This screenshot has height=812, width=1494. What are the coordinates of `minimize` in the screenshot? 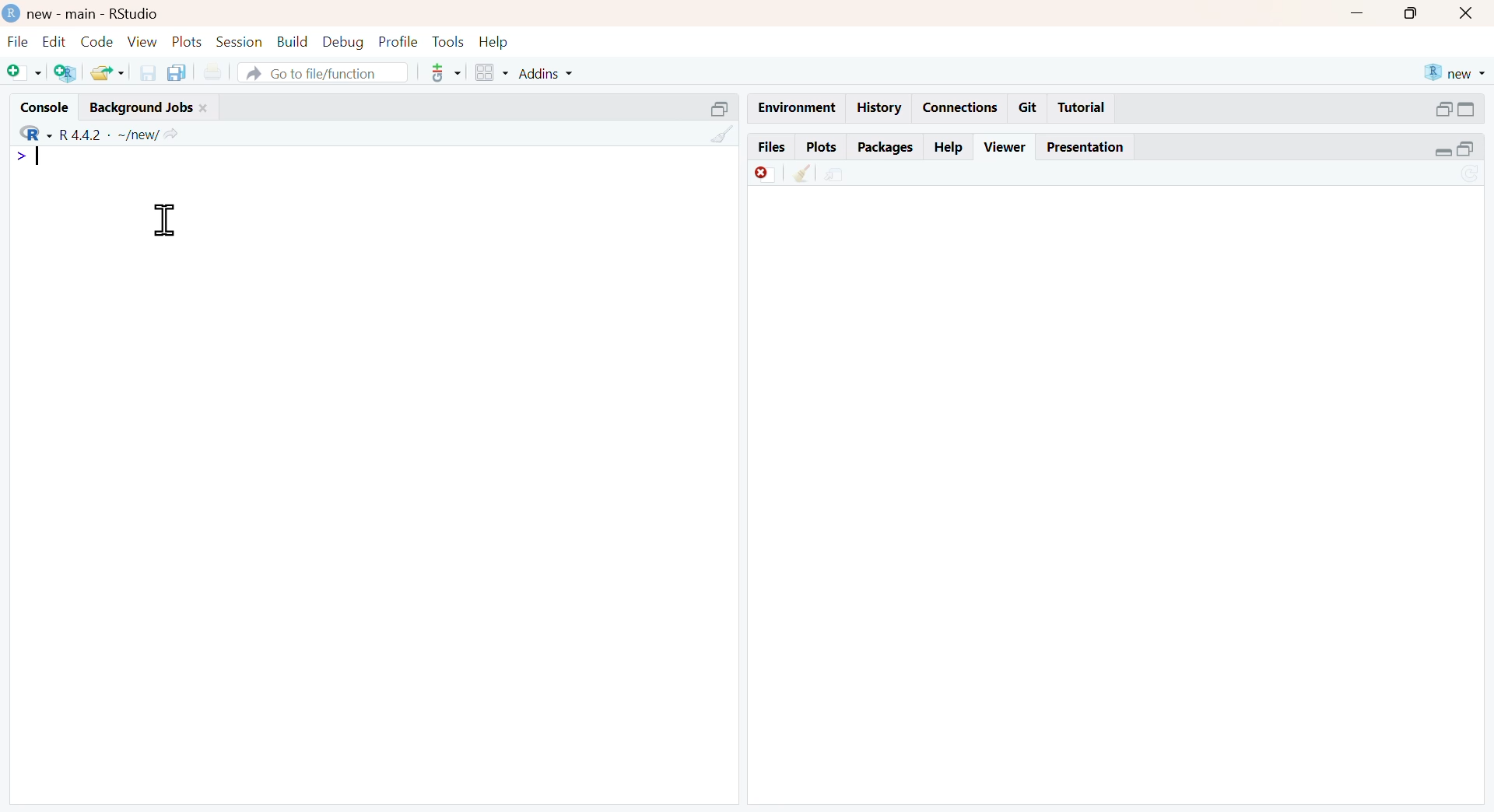 It's located at (721, 105).